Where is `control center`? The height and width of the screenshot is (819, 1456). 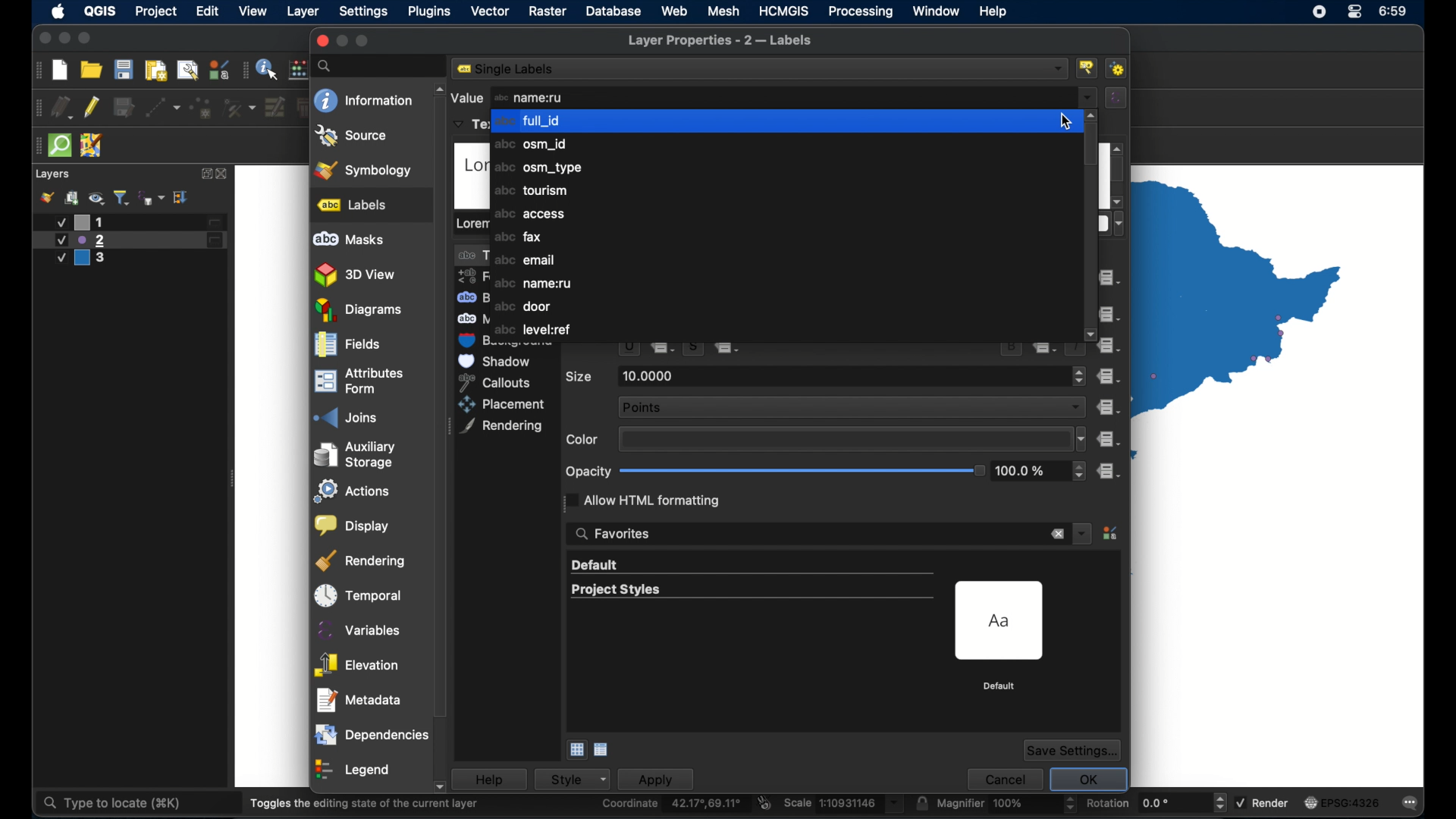
control center is located at coordinates (1356, 11).